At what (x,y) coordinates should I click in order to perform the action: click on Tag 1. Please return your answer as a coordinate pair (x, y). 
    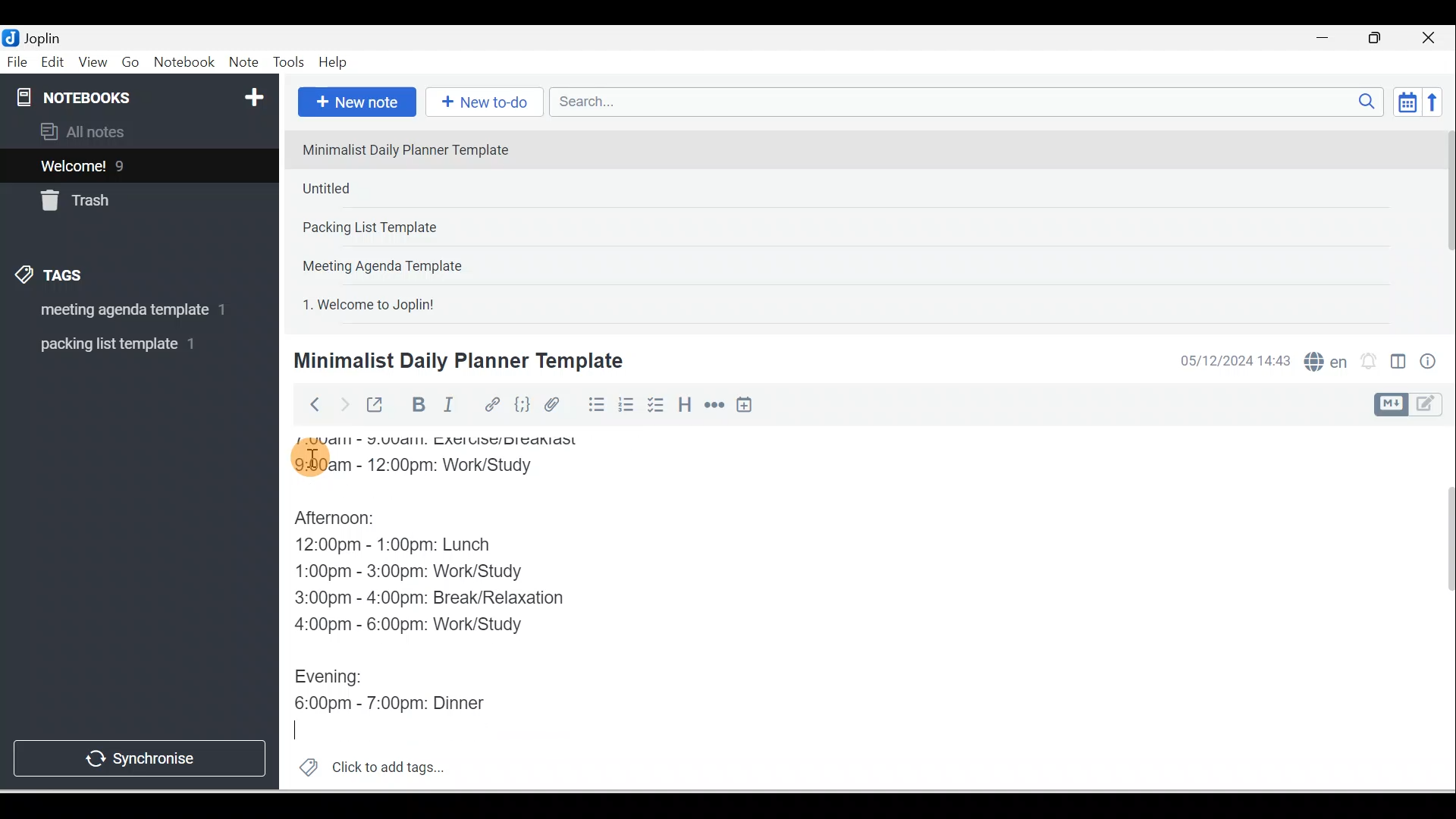
    Looking at the image, I should click on (119, 311).